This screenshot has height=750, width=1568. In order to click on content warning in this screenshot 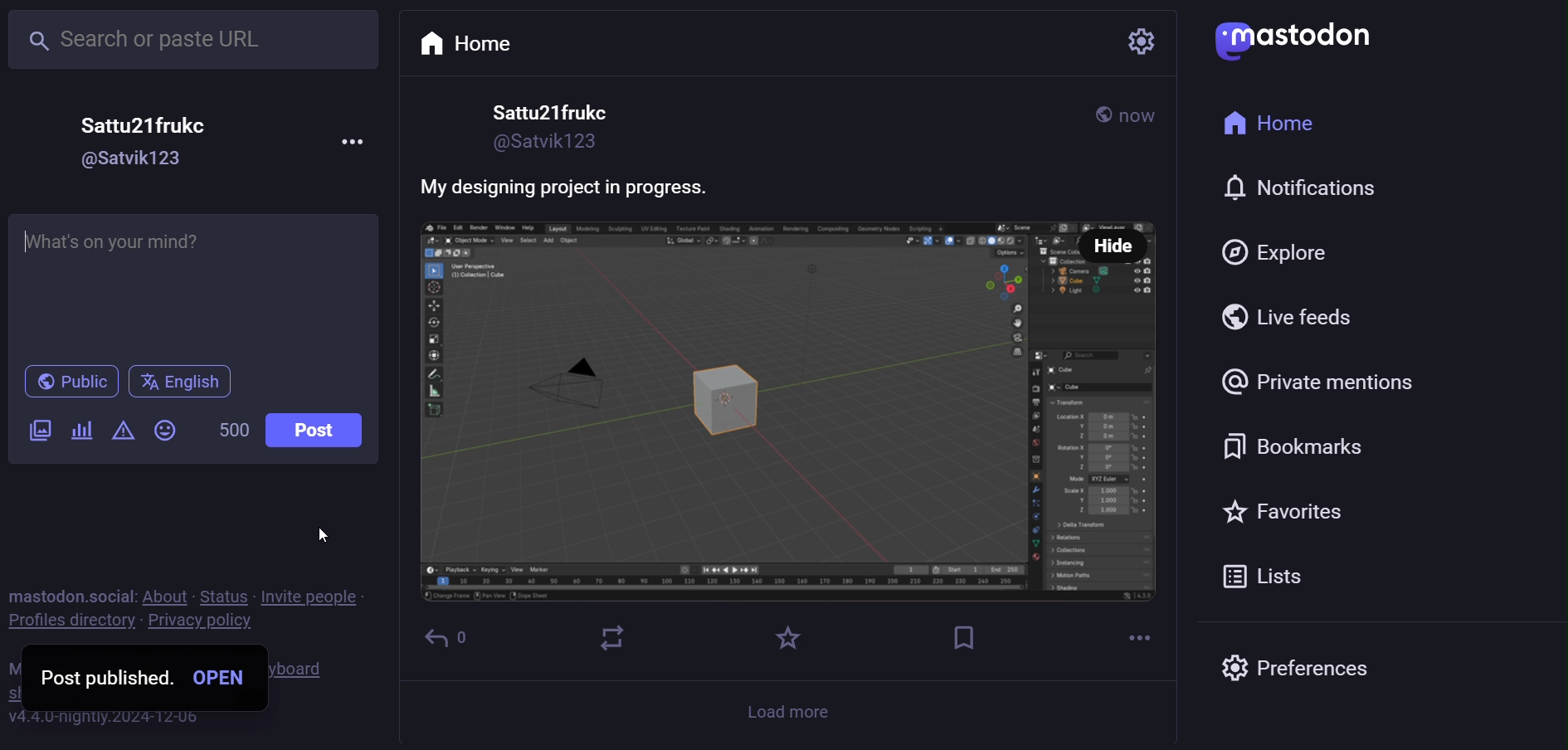, I will do `click(119, 432)`.